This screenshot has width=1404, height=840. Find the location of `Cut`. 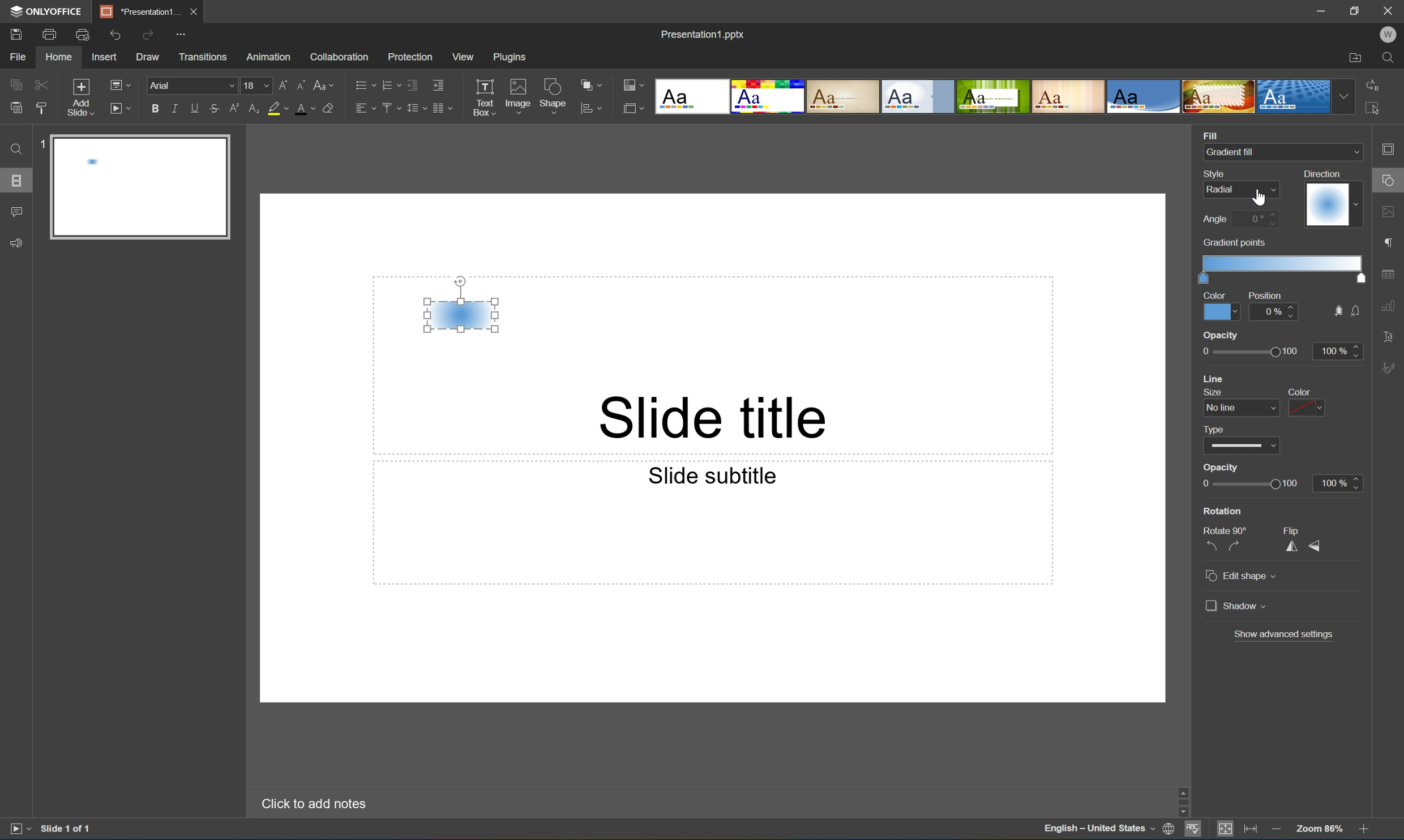

Cut is located at coordinates (40, 84).